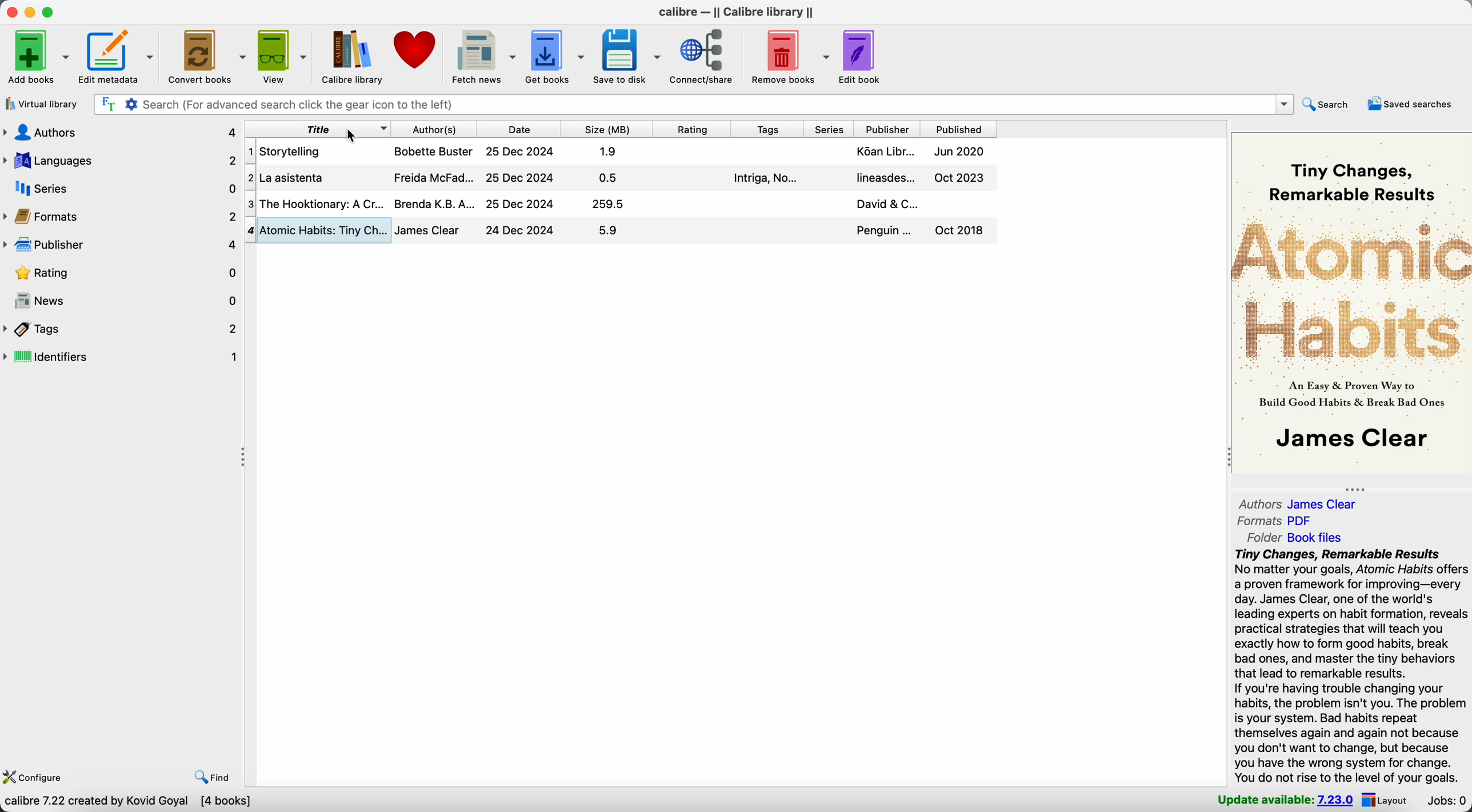 The height and width of the screenshot is (812, 1472). What do you see at coordinates (1411, 105) in the screenshot?
I see `saved searches` at bounding box center [1411, 105].